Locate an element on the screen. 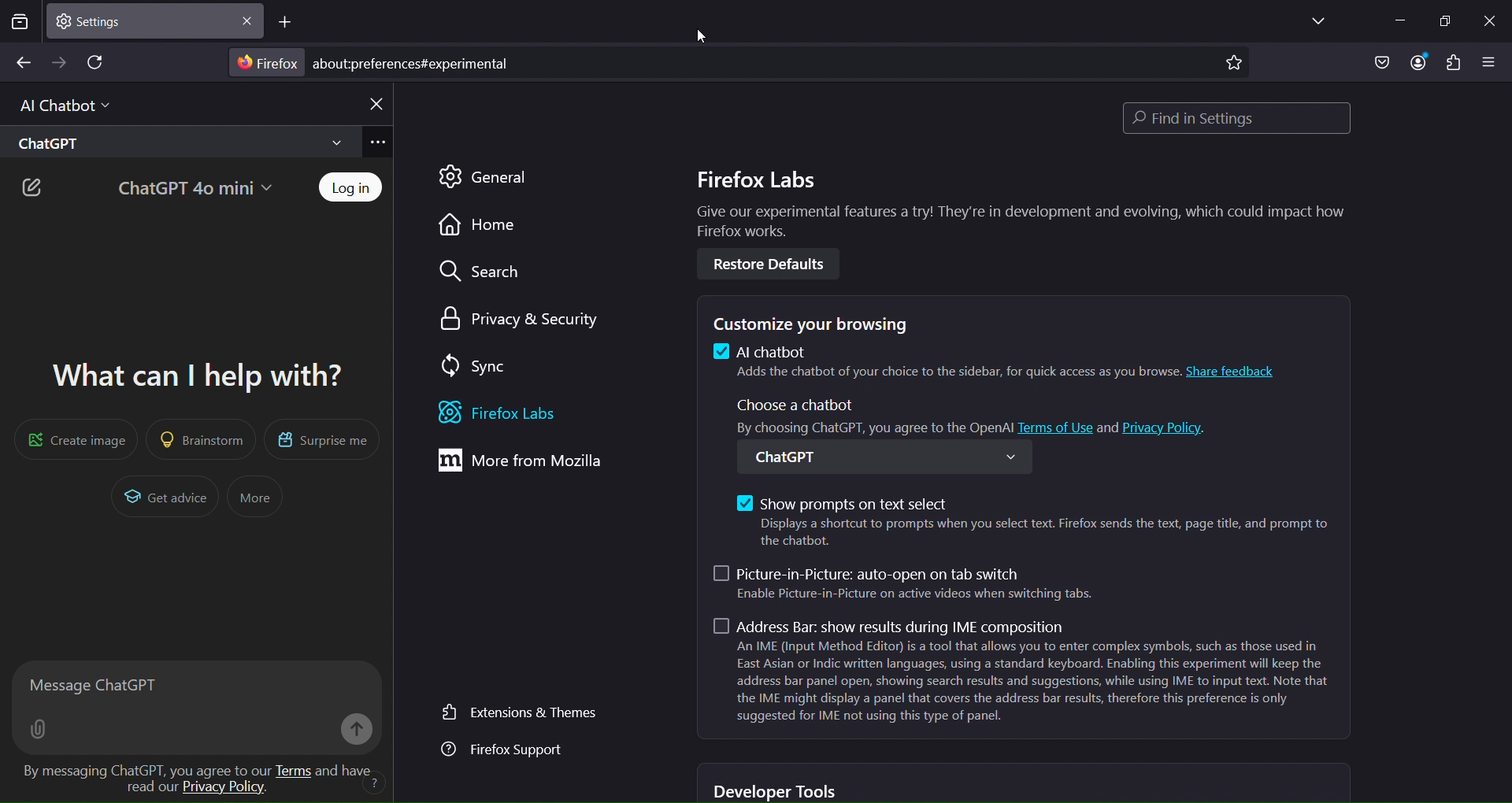 The height and width of the screenshot is (803, 1512).  Firefox is located at coordinates (265, 63).